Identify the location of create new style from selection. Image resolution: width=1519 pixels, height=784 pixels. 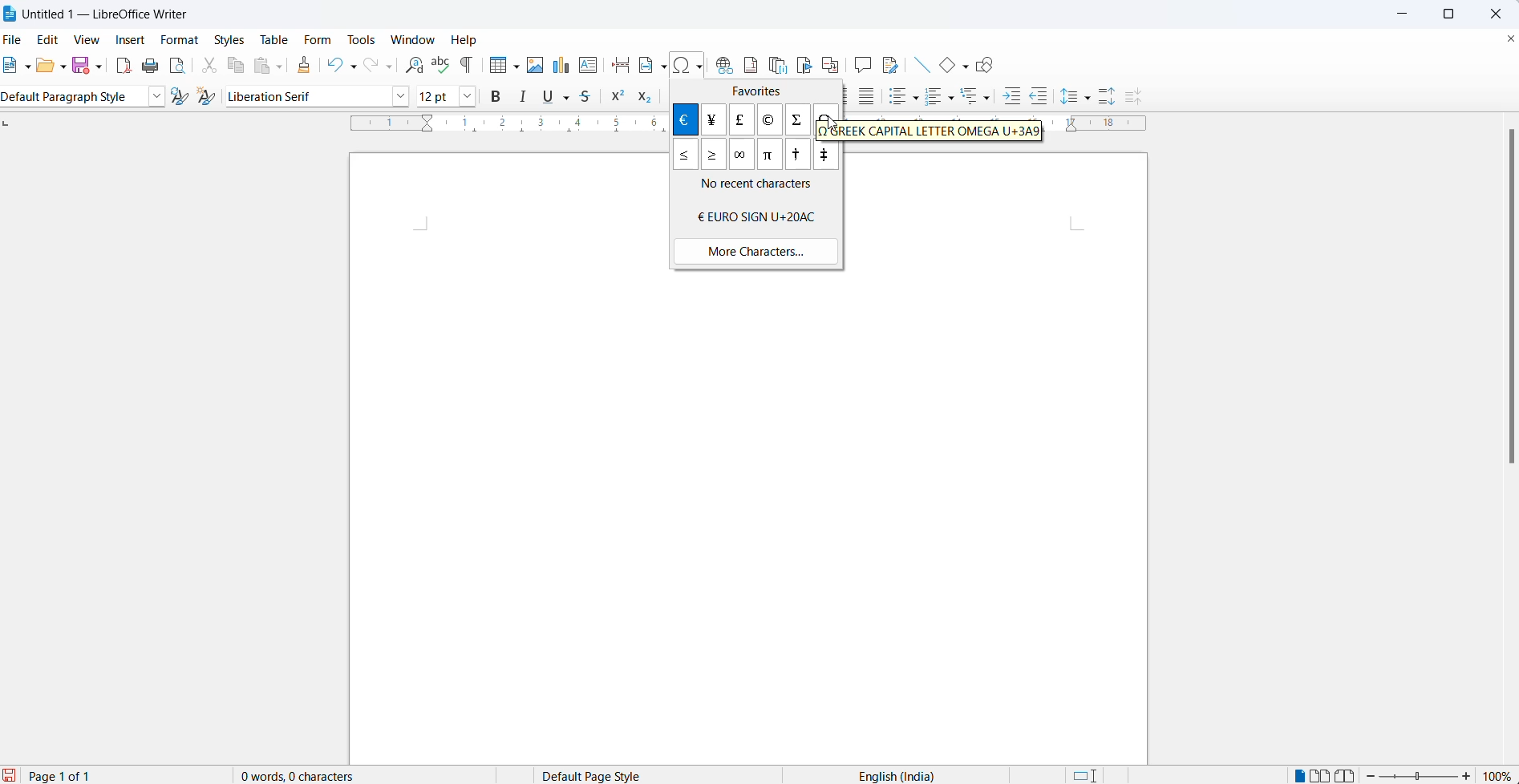
(207, 98).